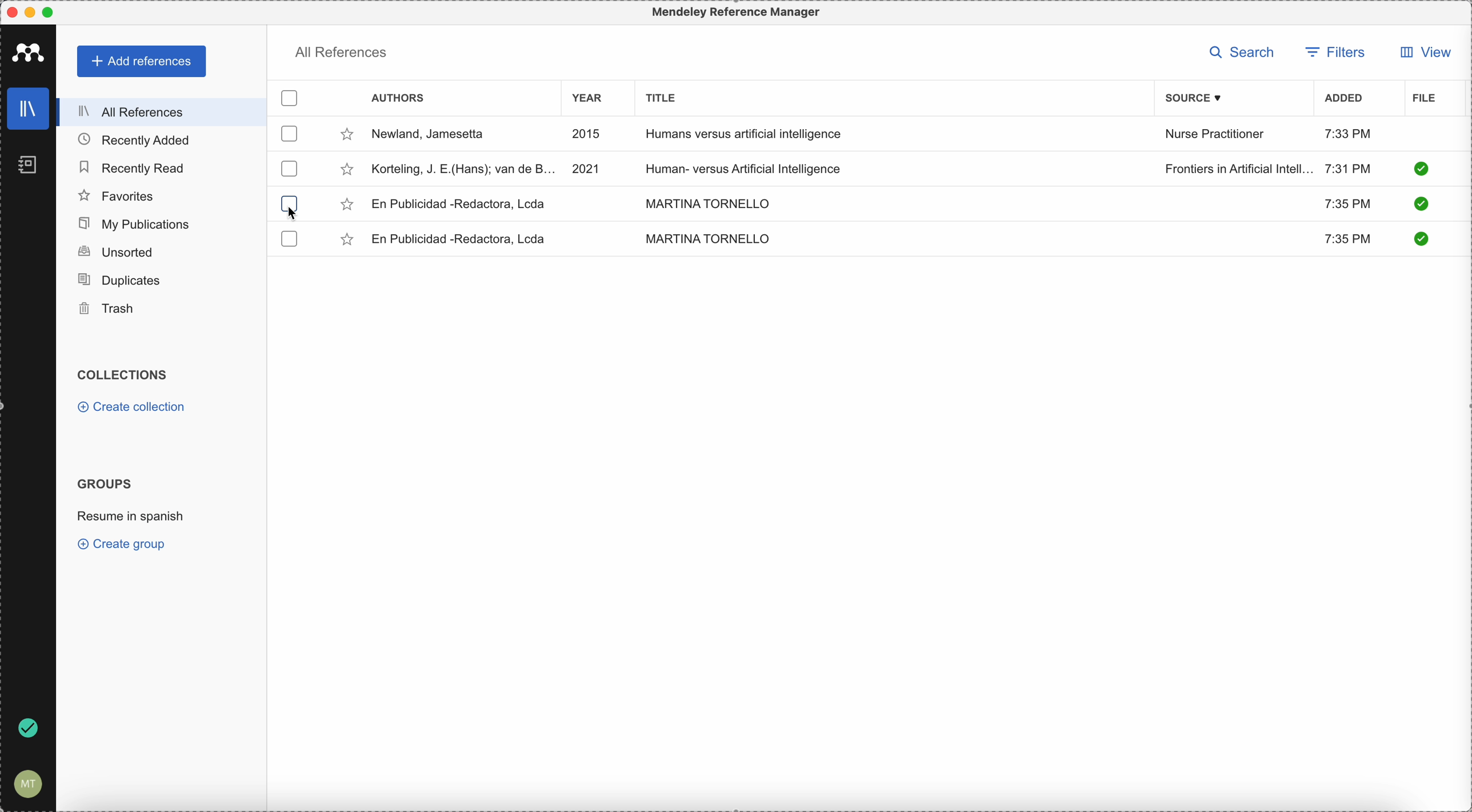  I want to click on last sync, so click(26, 729).